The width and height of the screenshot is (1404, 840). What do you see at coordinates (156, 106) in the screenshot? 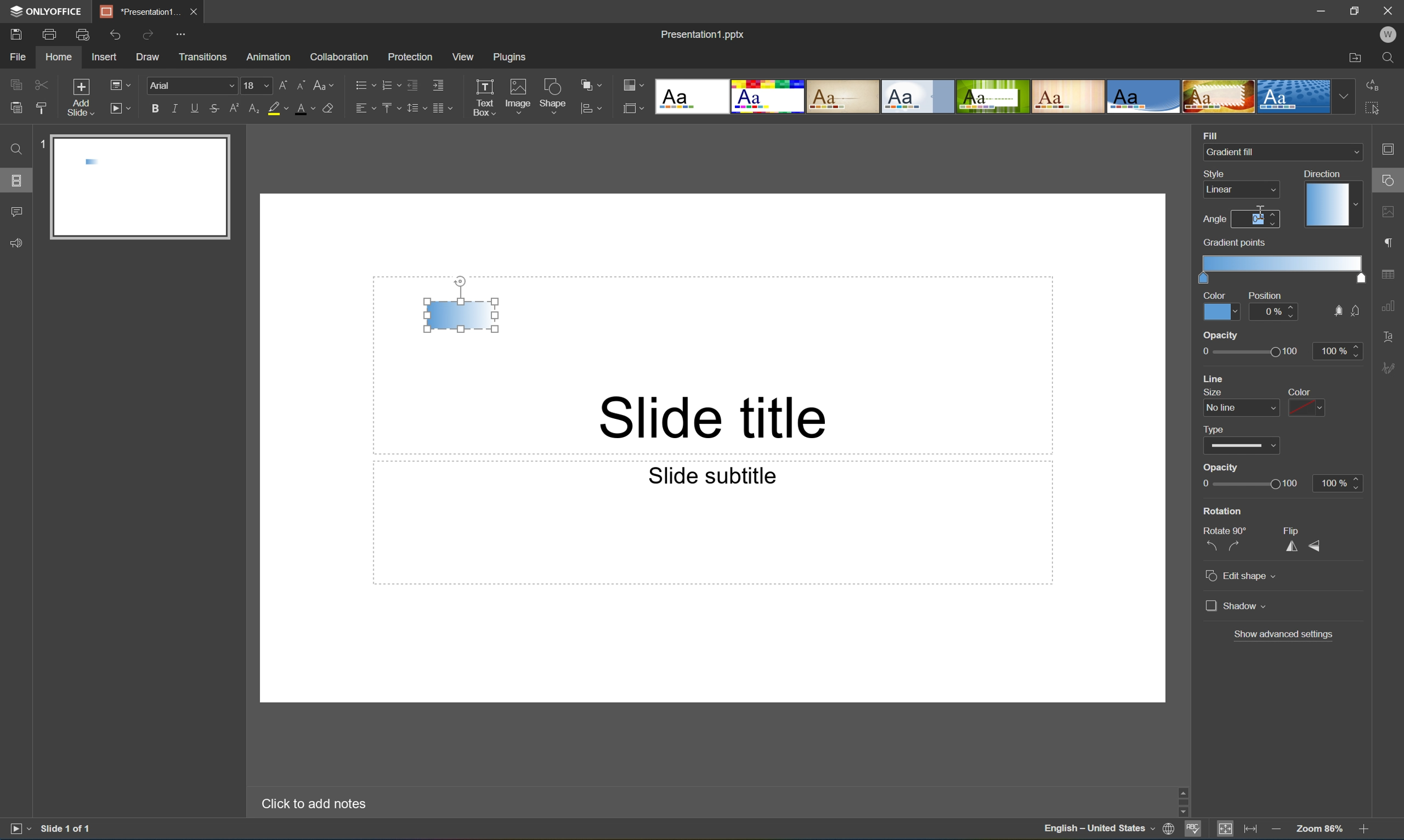
I see `Bold` at bounding box center [156, 106].